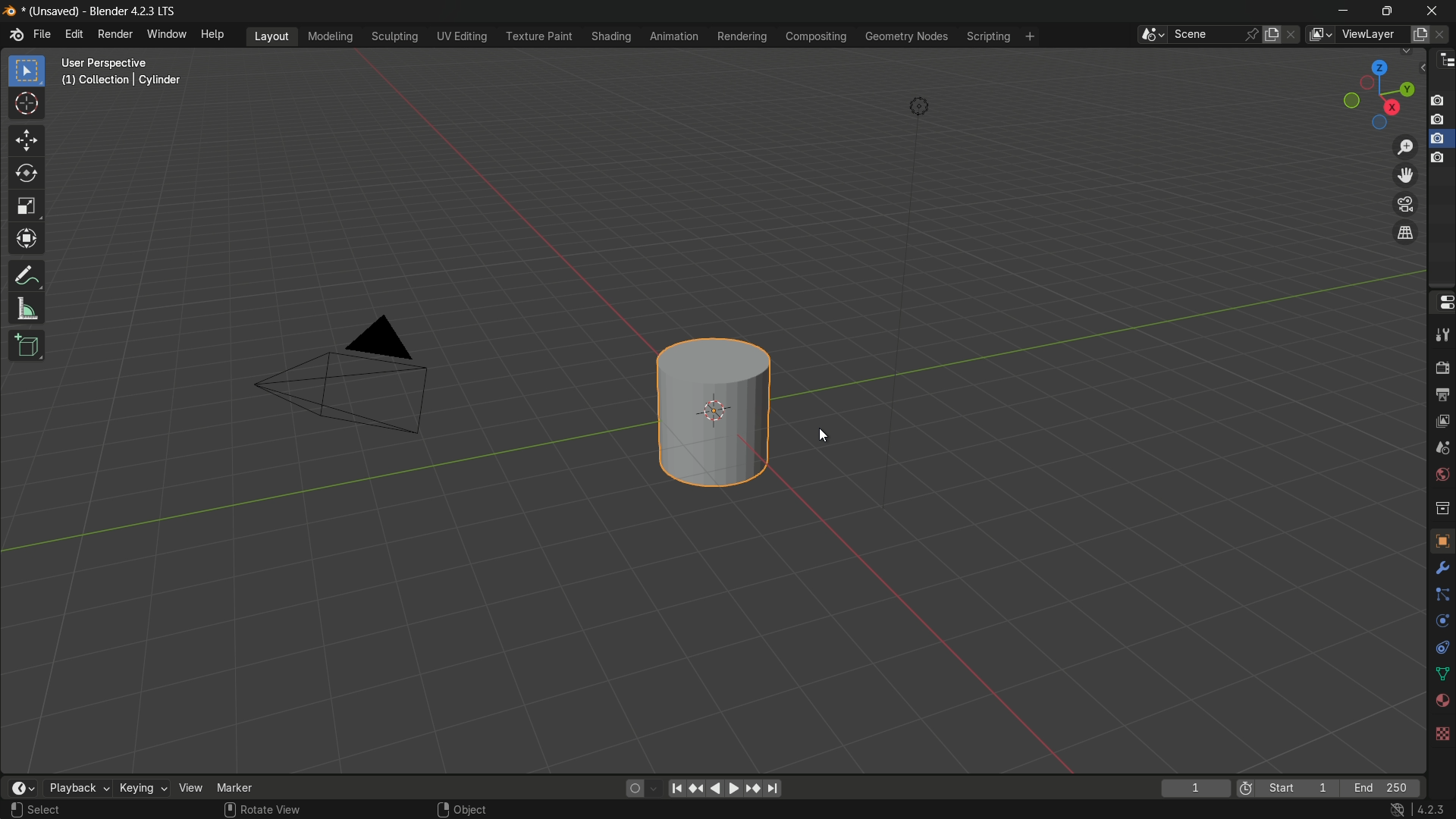  I want to click on measure, so click(27, 310).